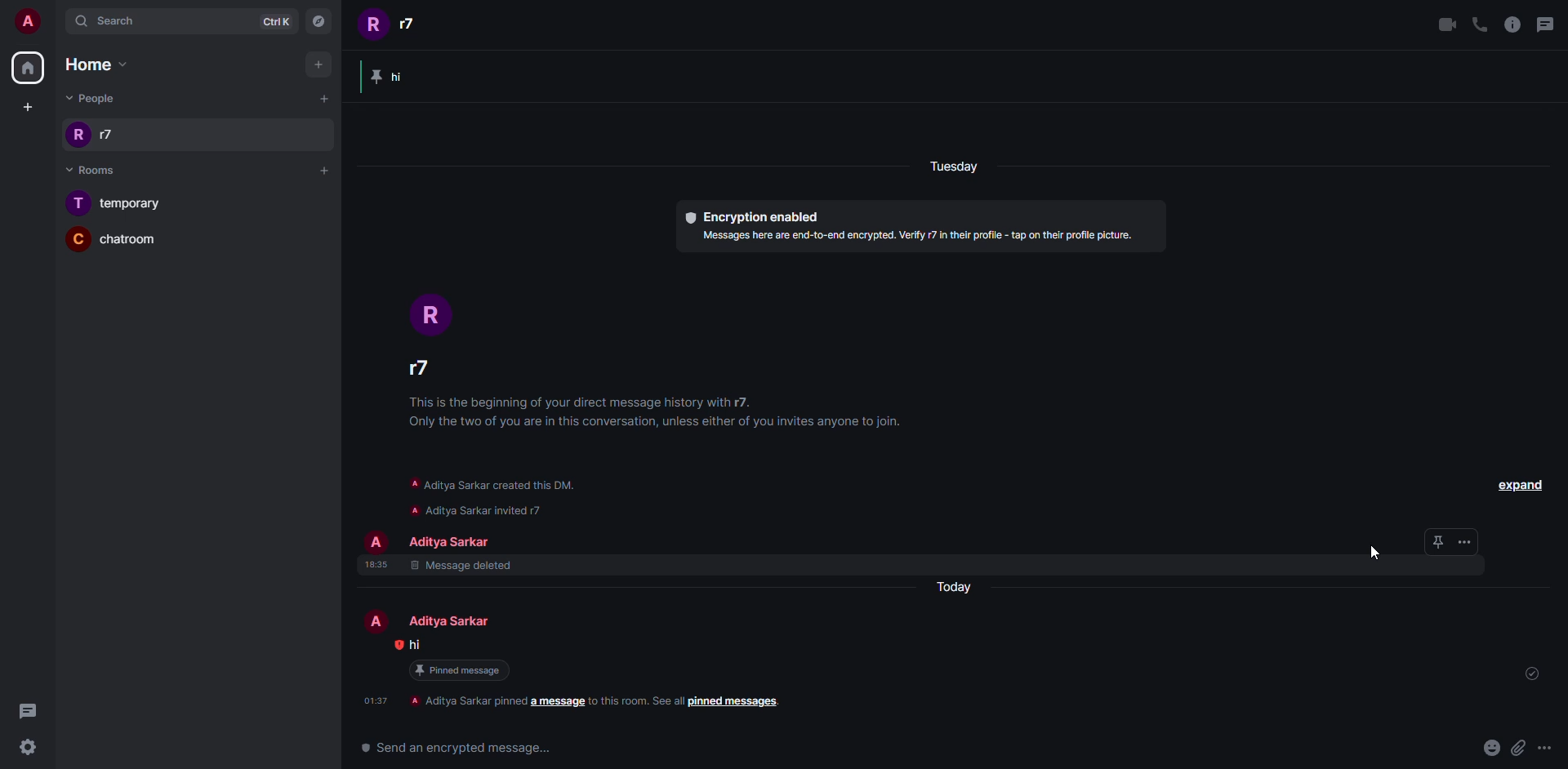 This screenshot has width=1568, height=769. Describe the element at coordinates (28, 104) in the screenshot. I see `create space` at that location.